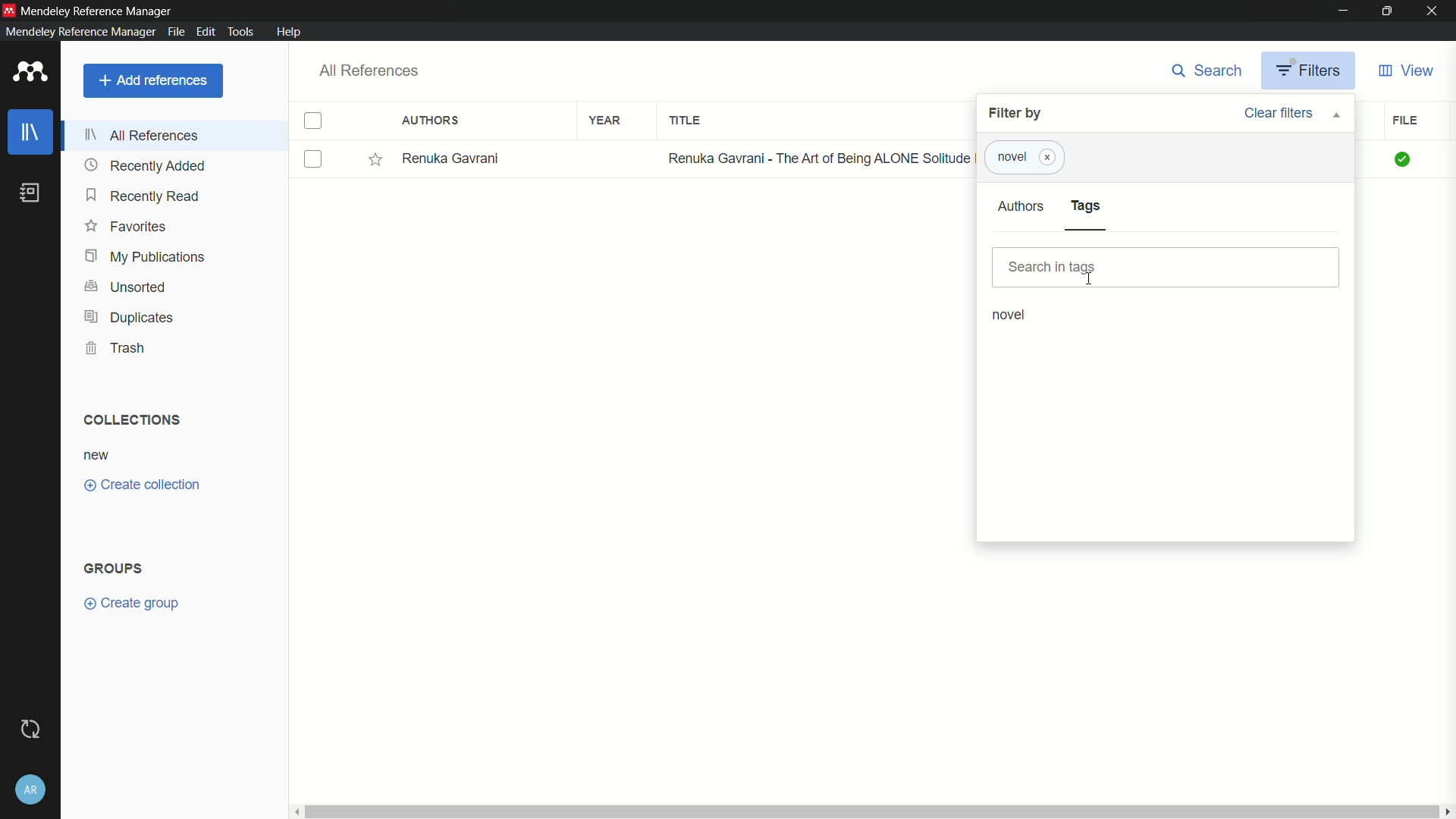  I want to click on minimize, so click(1341, 11).